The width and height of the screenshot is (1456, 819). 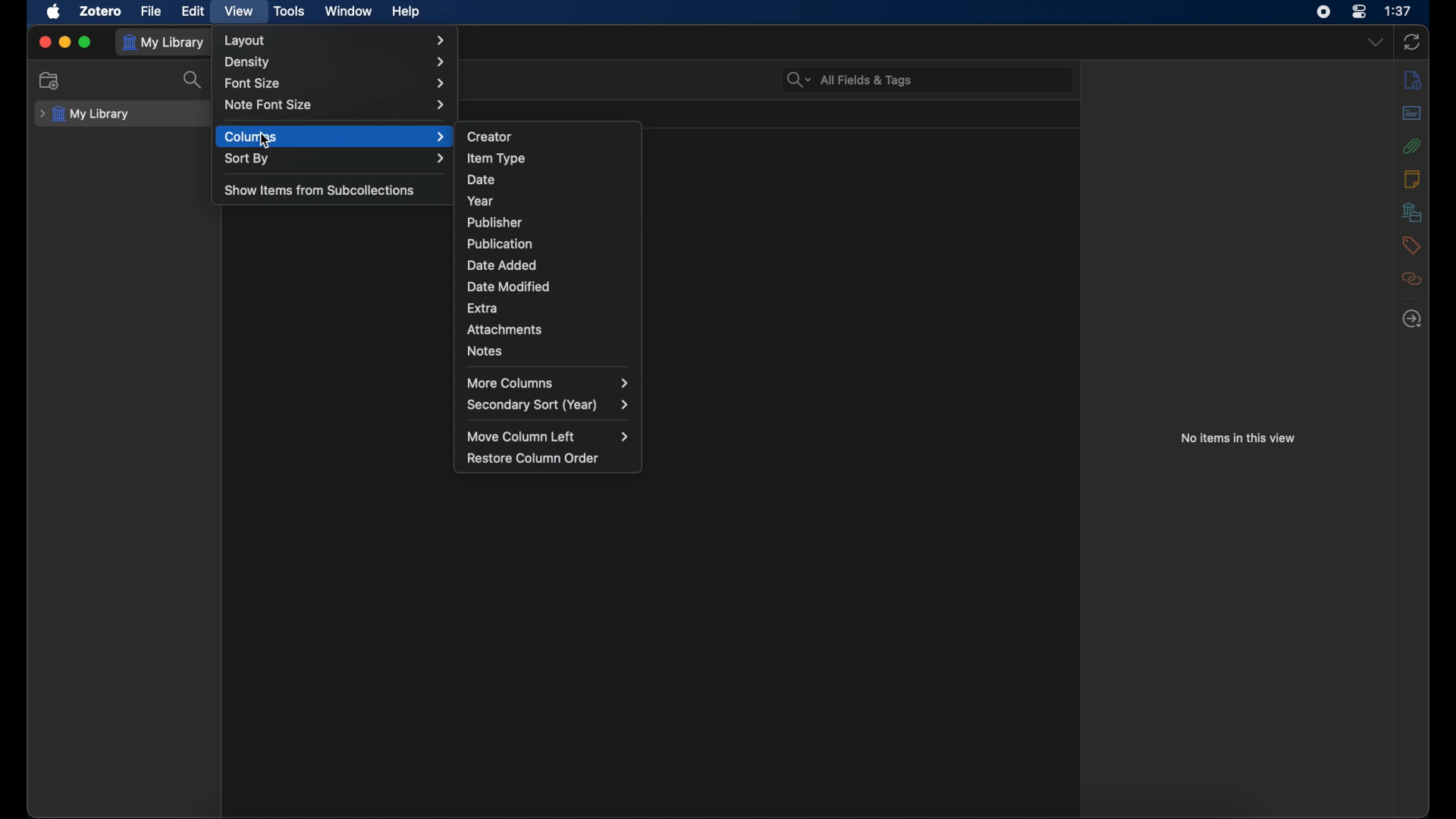 I want to click on item type, so click(x=497, y=158).